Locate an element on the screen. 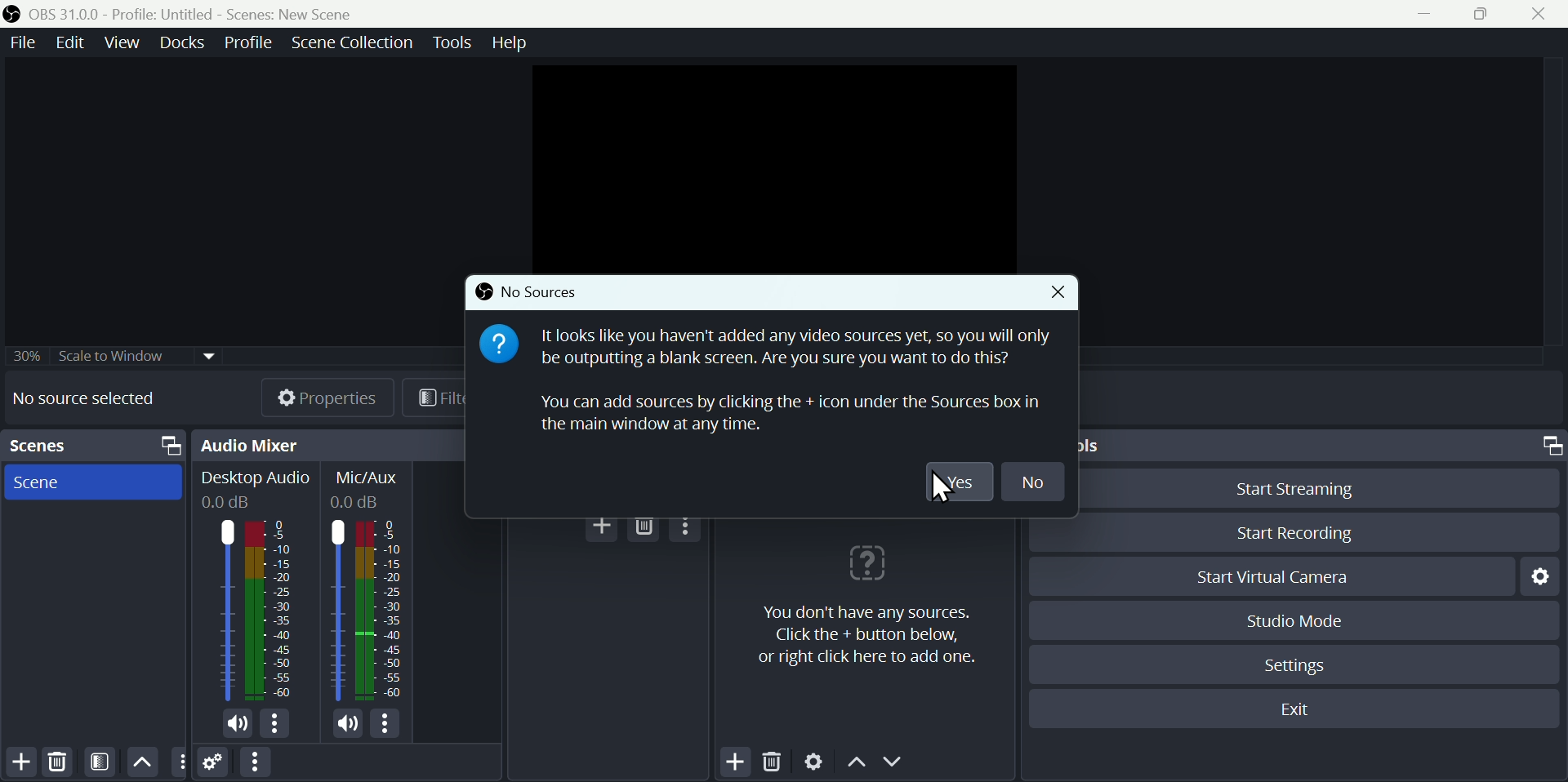 The height and width of the screenshot is (782, 1568). Cursor is located at coordinates (938, 487).